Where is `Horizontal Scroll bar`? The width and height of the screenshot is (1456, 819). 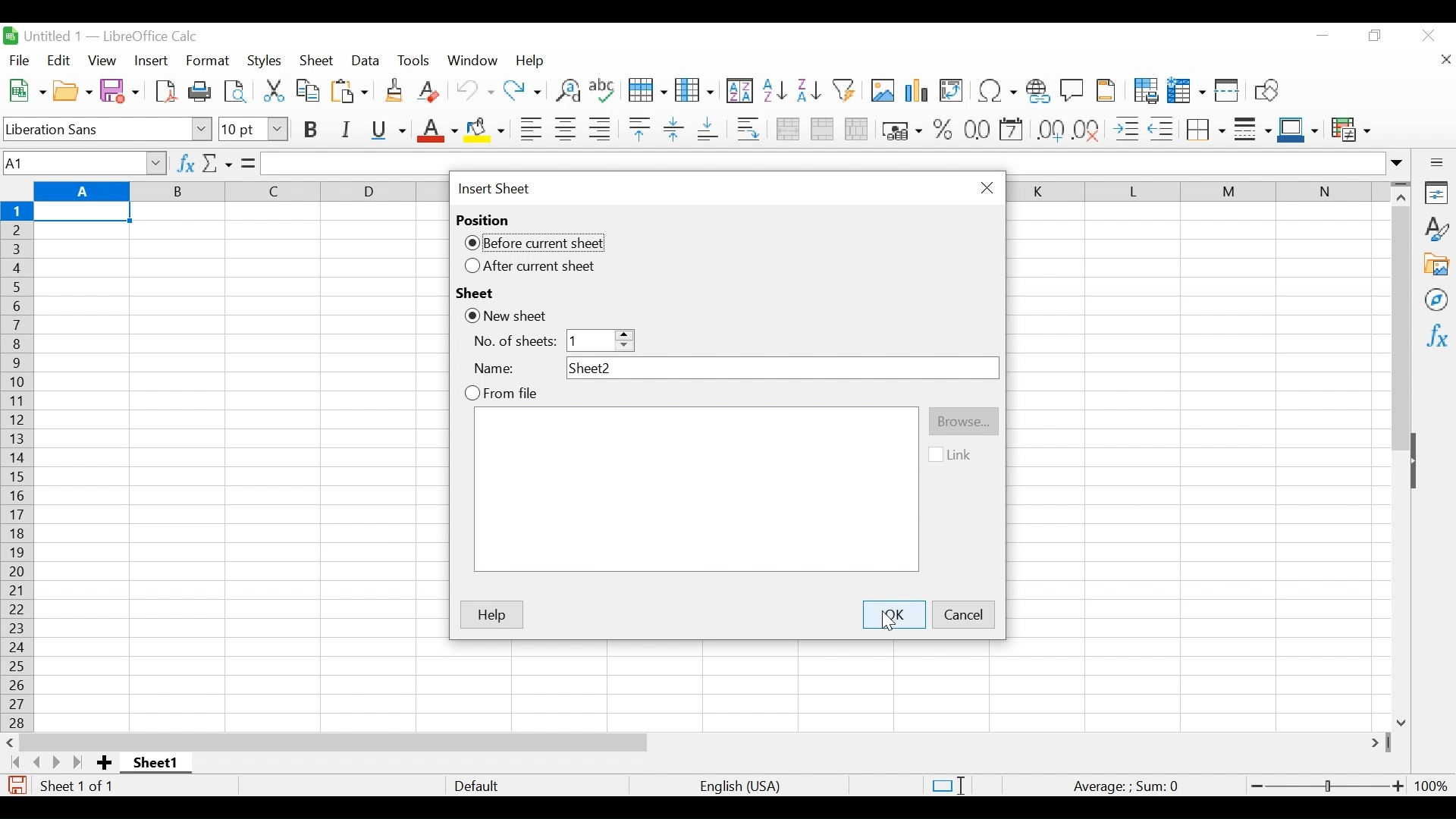 Horizontal Scroll bar is located at coordinates (334, 742).